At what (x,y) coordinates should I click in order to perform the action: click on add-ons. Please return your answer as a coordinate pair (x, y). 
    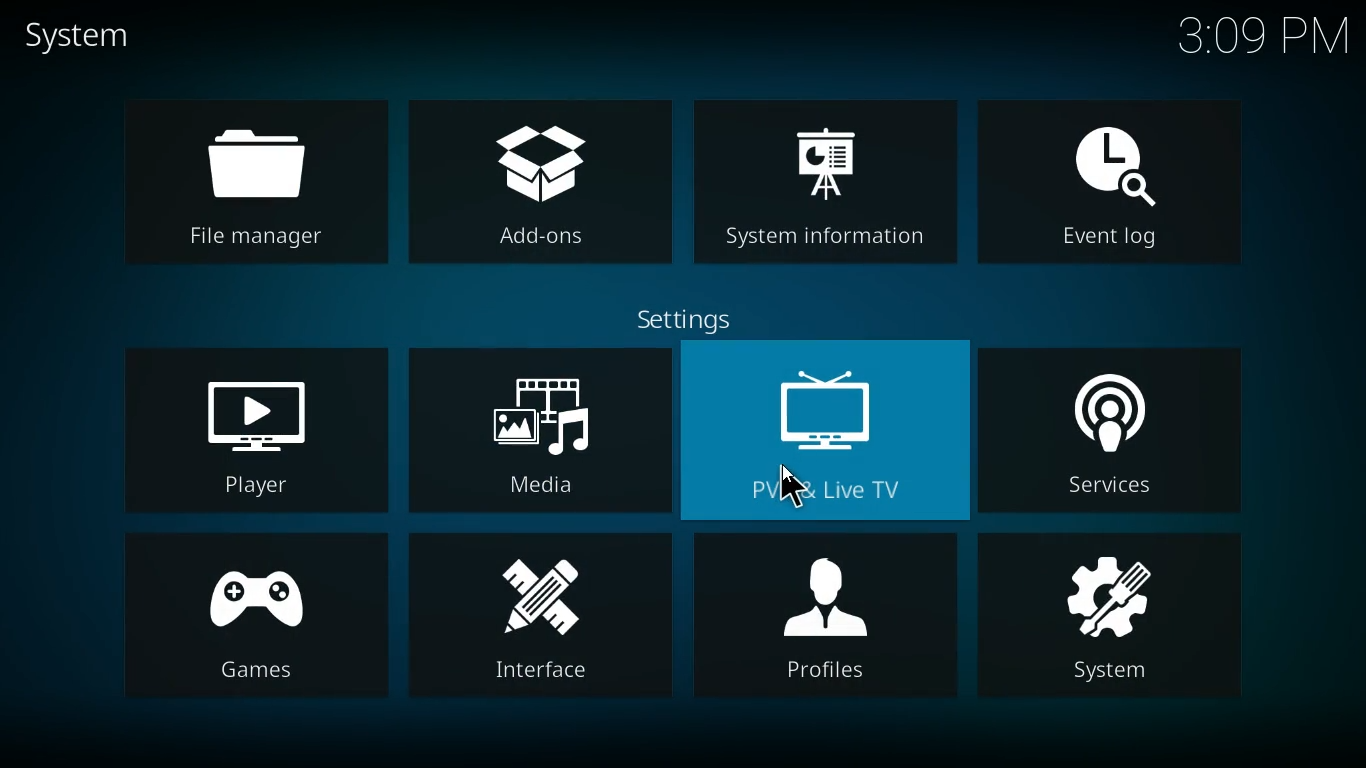
    Looking at the image, I should click on (543, 183).